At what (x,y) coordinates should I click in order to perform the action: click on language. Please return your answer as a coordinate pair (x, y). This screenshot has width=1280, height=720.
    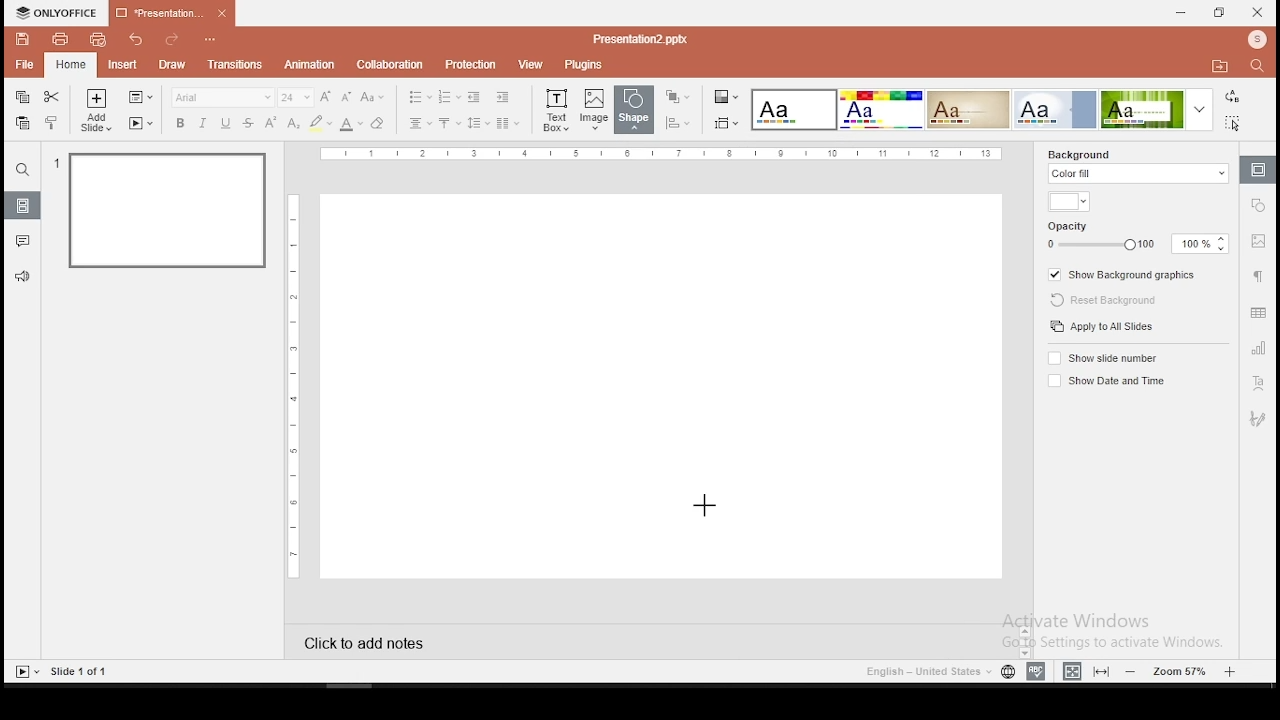
    Looking at the image, I should click on (1008, 674).